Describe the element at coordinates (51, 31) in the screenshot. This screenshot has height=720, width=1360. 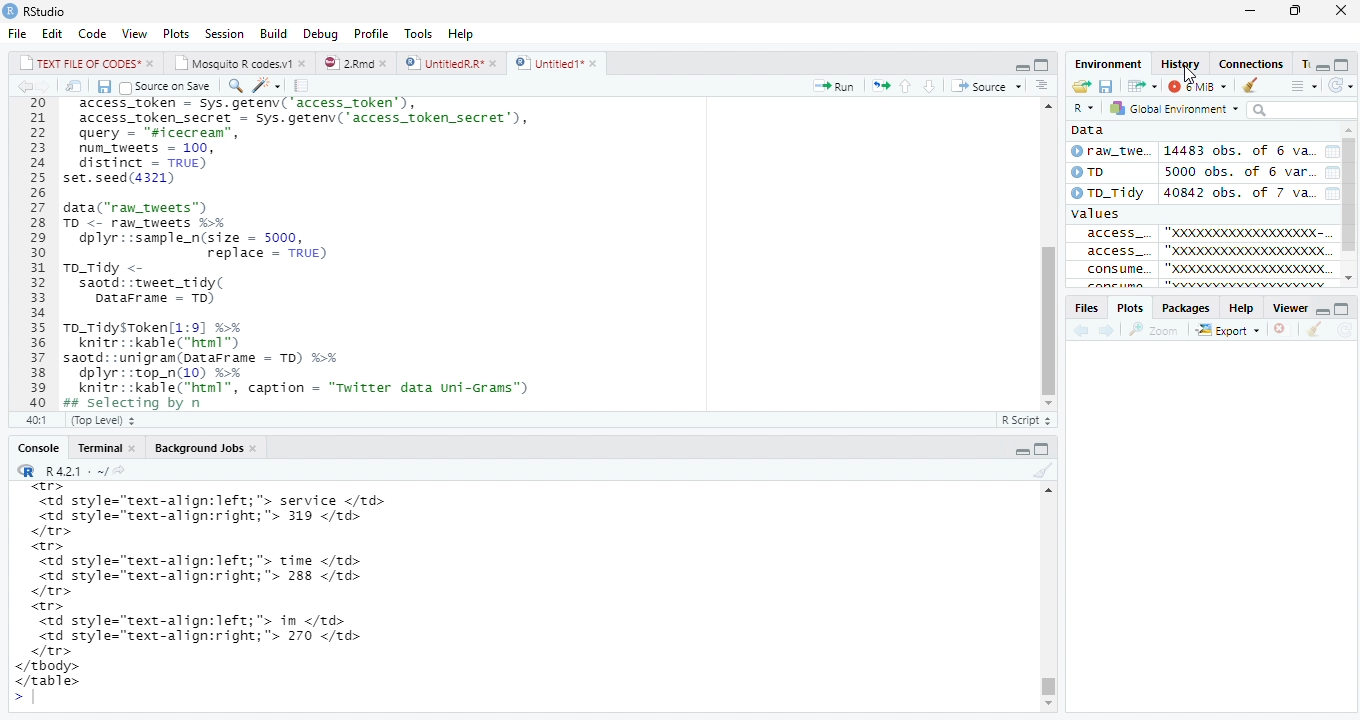
I see `Edit` at that location.